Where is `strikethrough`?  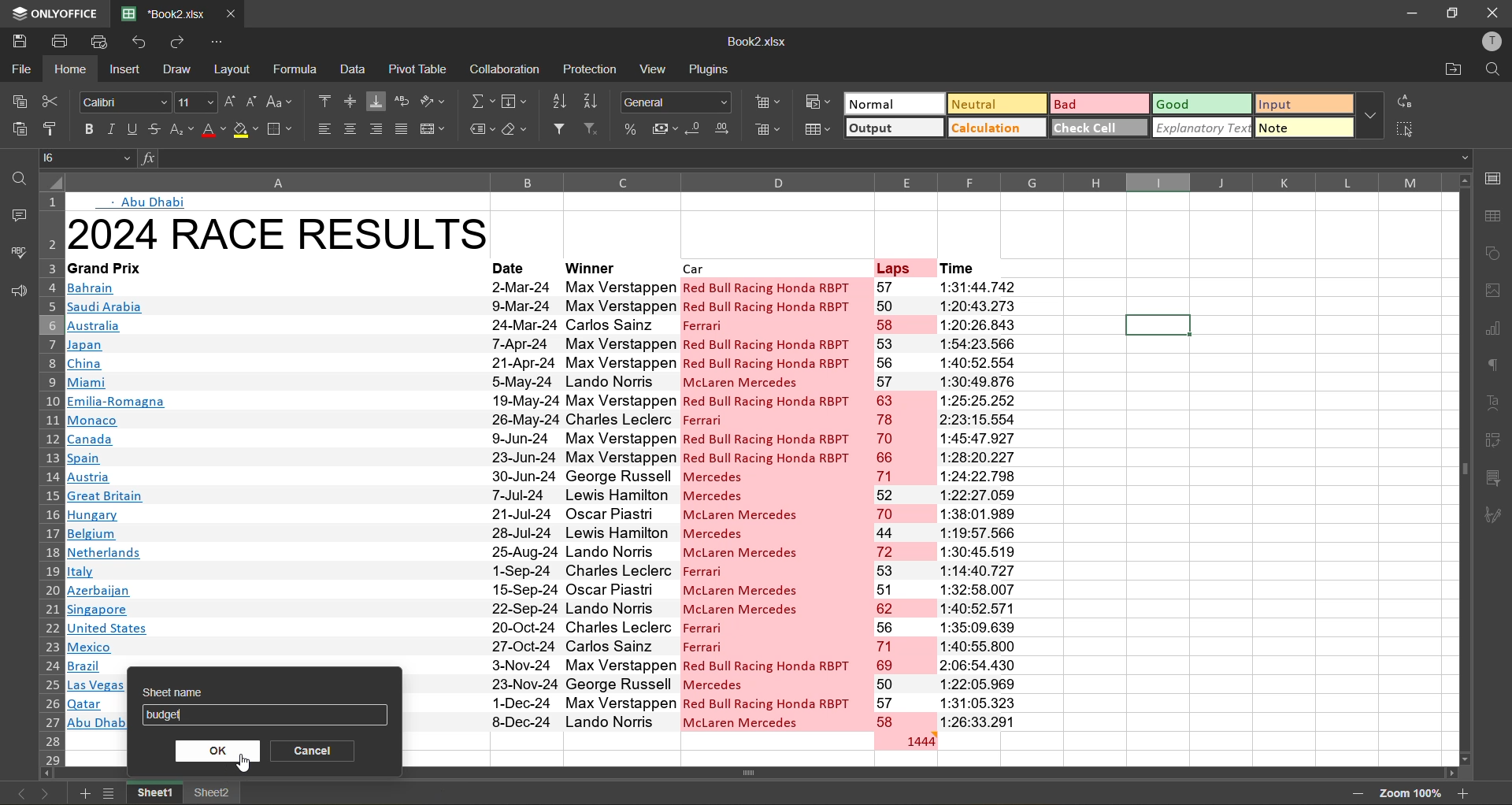 strikethrough is located at coordinates (151, 129).